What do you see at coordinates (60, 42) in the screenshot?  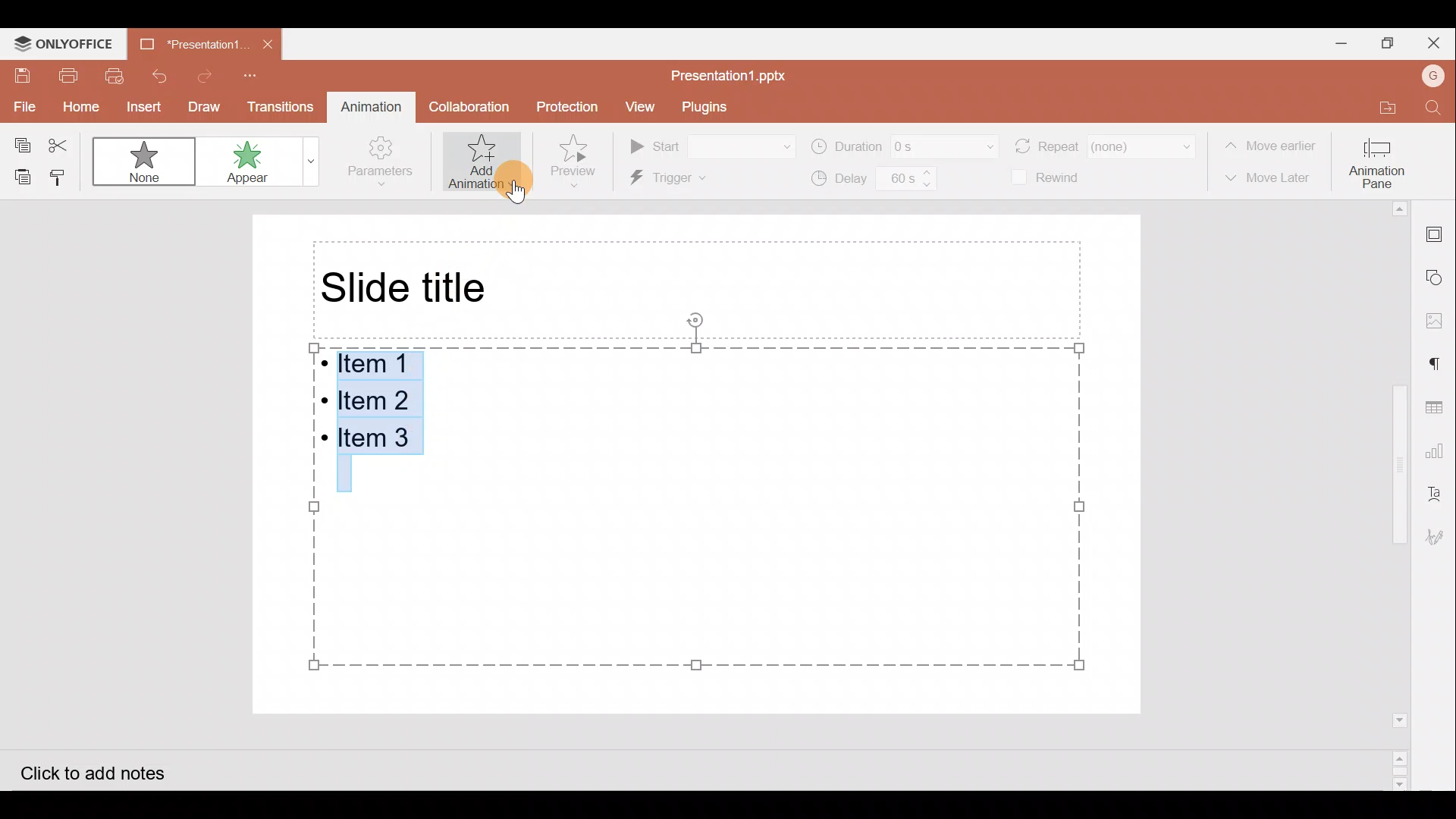 I see `ONLYOFFICE` at bounding box center [60, 42].